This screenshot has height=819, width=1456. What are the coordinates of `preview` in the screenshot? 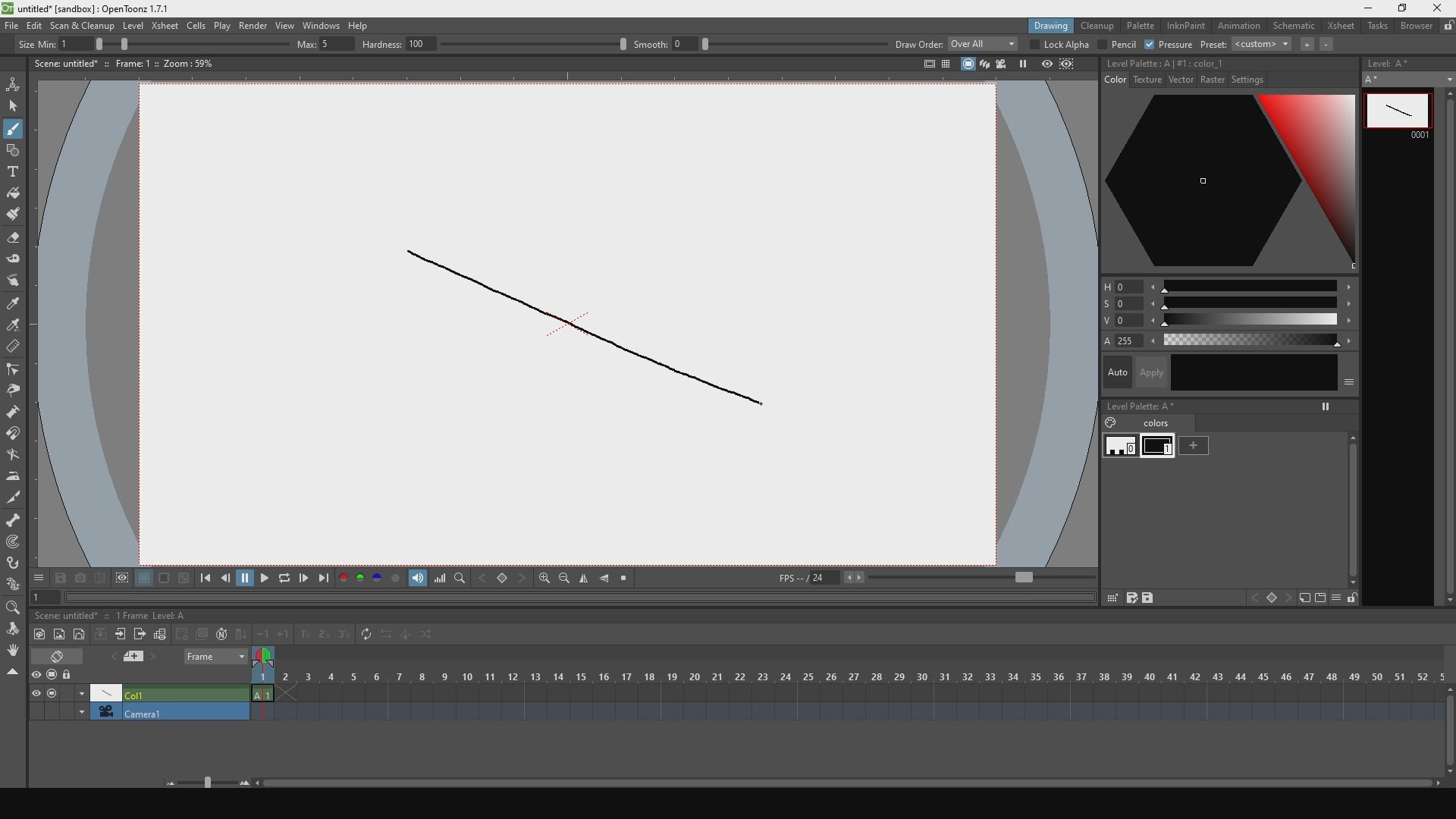 It's located at (38, 674).